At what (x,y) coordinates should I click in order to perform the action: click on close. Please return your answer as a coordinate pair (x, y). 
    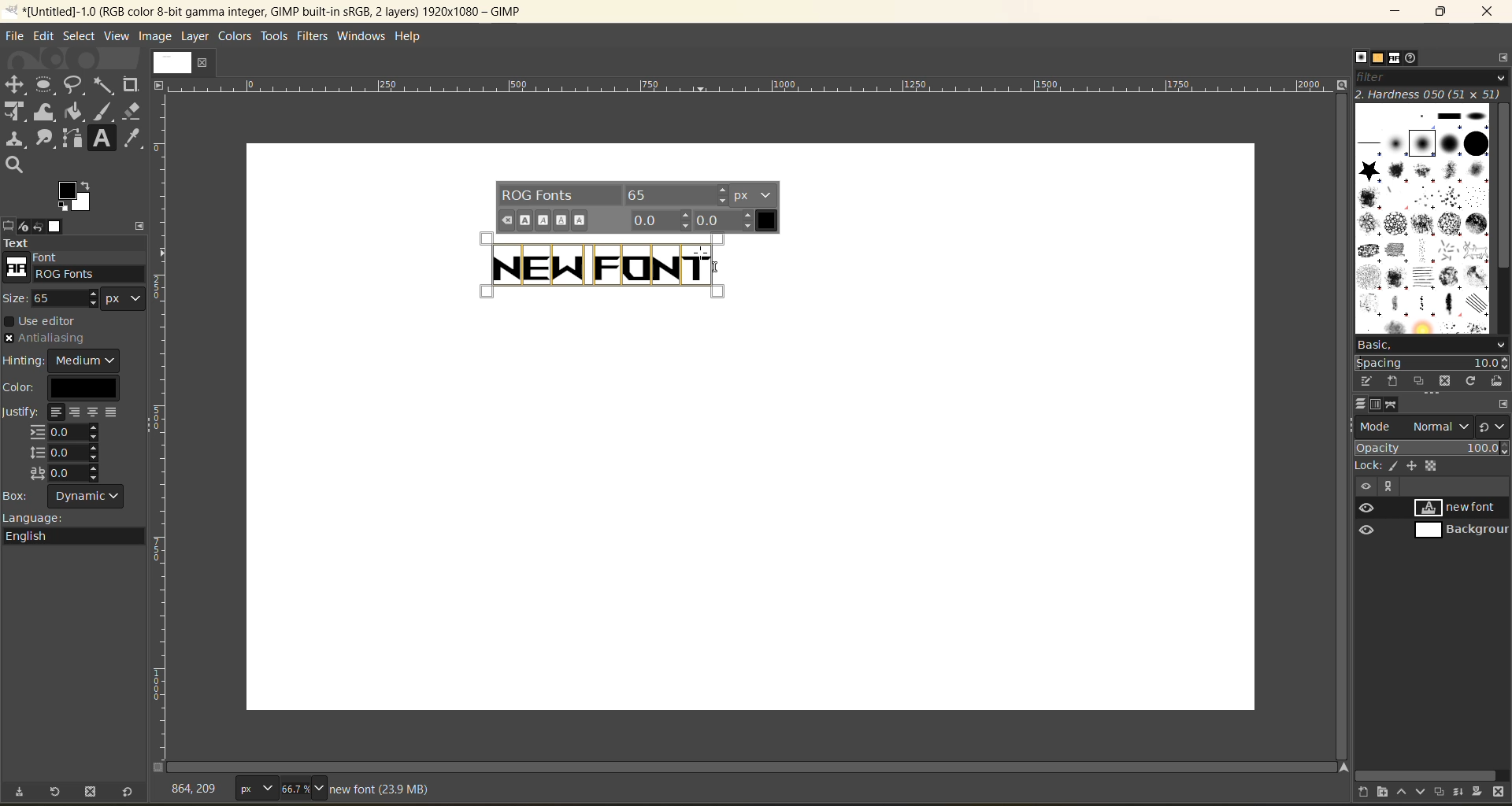
    Looking at the image, I should click on (204, 61).